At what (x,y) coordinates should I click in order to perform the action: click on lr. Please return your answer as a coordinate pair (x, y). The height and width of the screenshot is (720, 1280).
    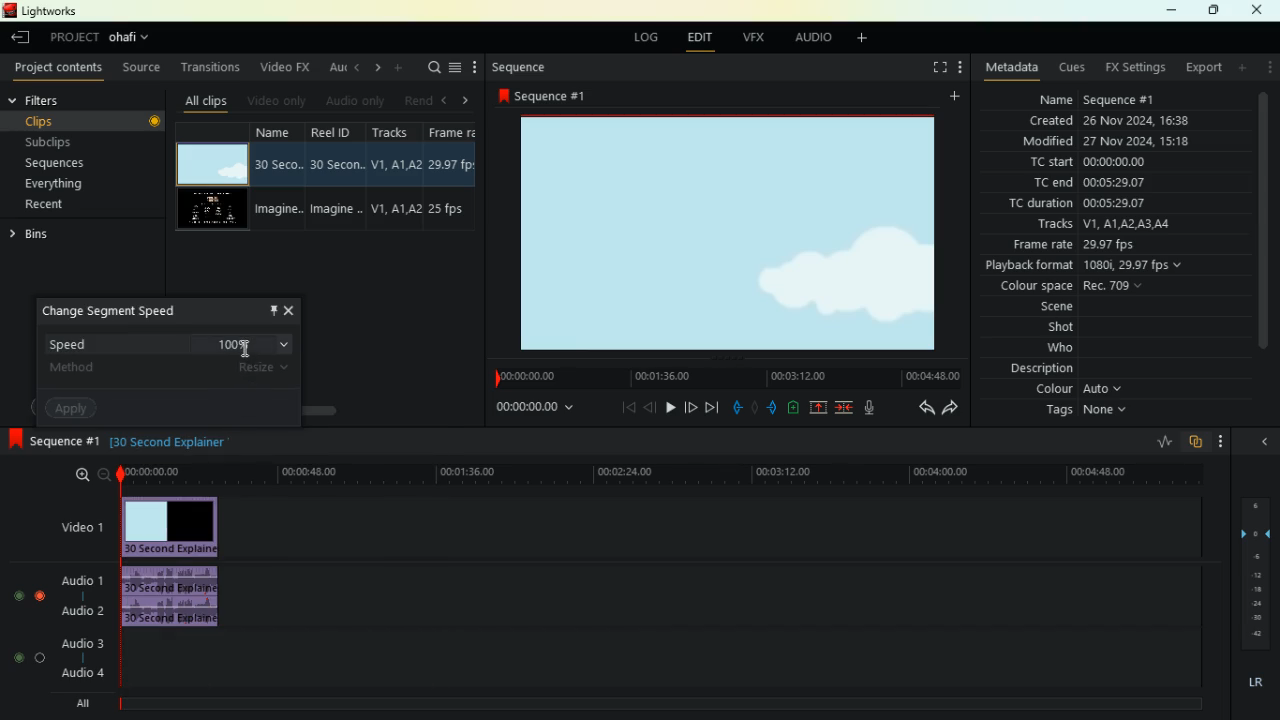
    Looking at the image, I should click on (1251, 683).